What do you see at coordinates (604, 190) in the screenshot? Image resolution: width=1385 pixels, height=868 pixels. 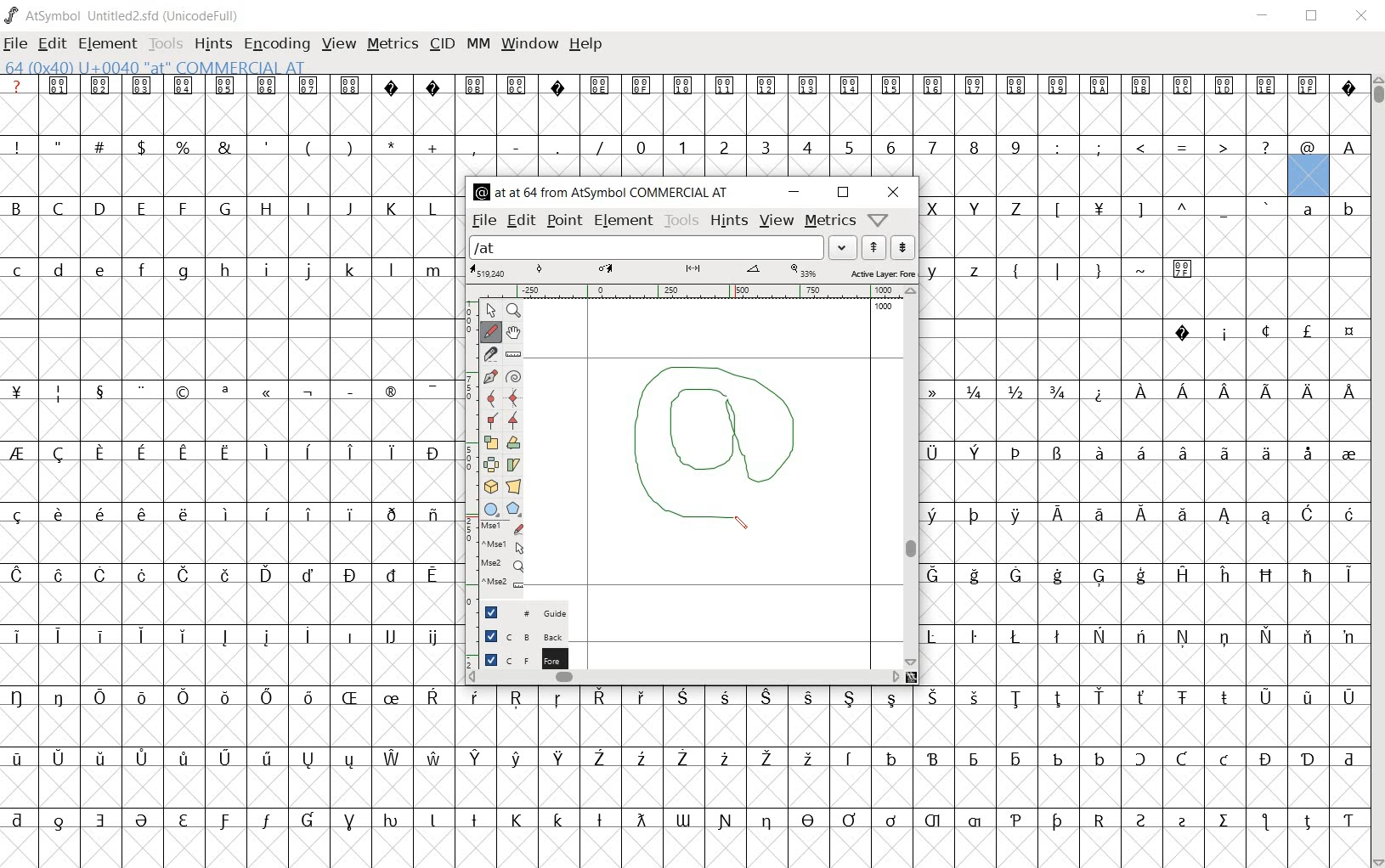 I see `glyph info` at bounding box center [604, 190].